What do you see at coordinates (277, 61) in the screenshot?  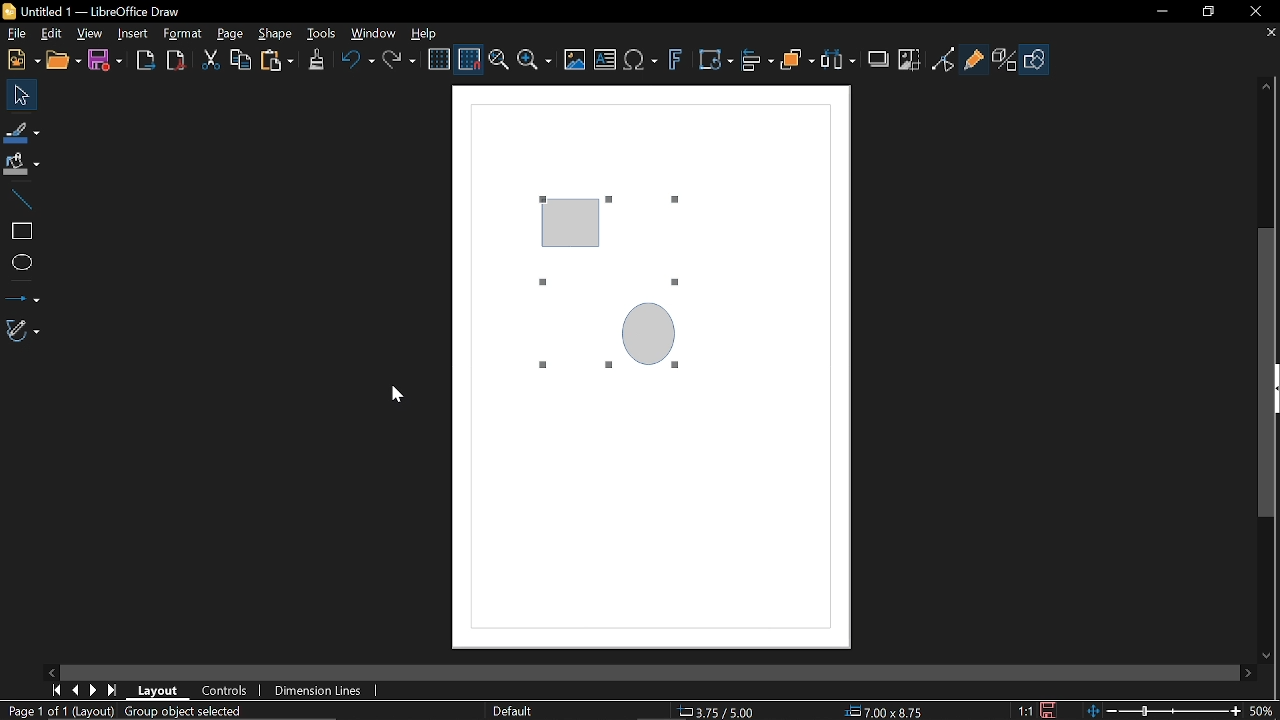 I see `Paste` at bounding box center [277, 61].